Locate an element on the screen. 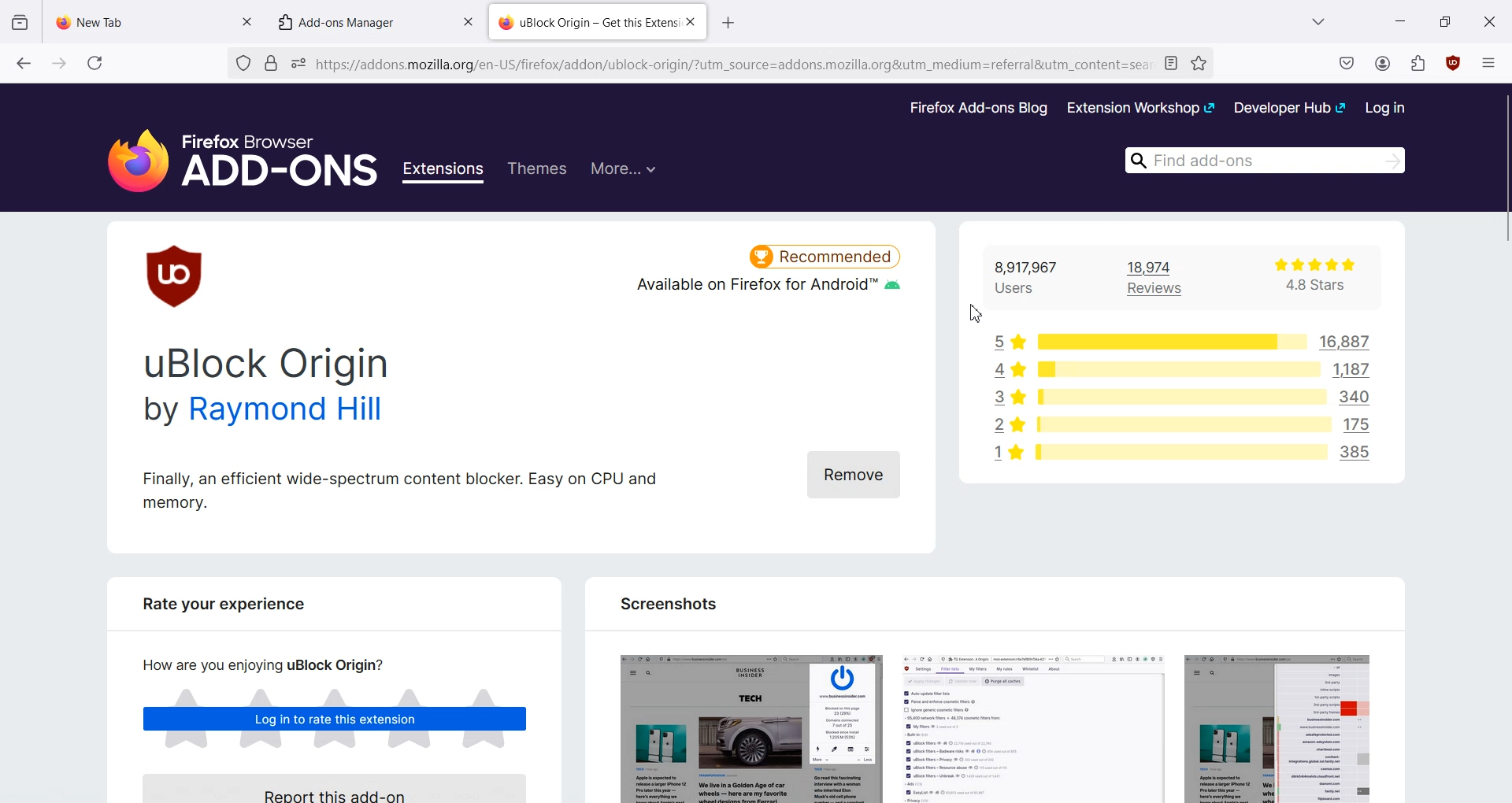 This screenshot has height=803, width=1512. Account is located at coordinates (1381, 65).